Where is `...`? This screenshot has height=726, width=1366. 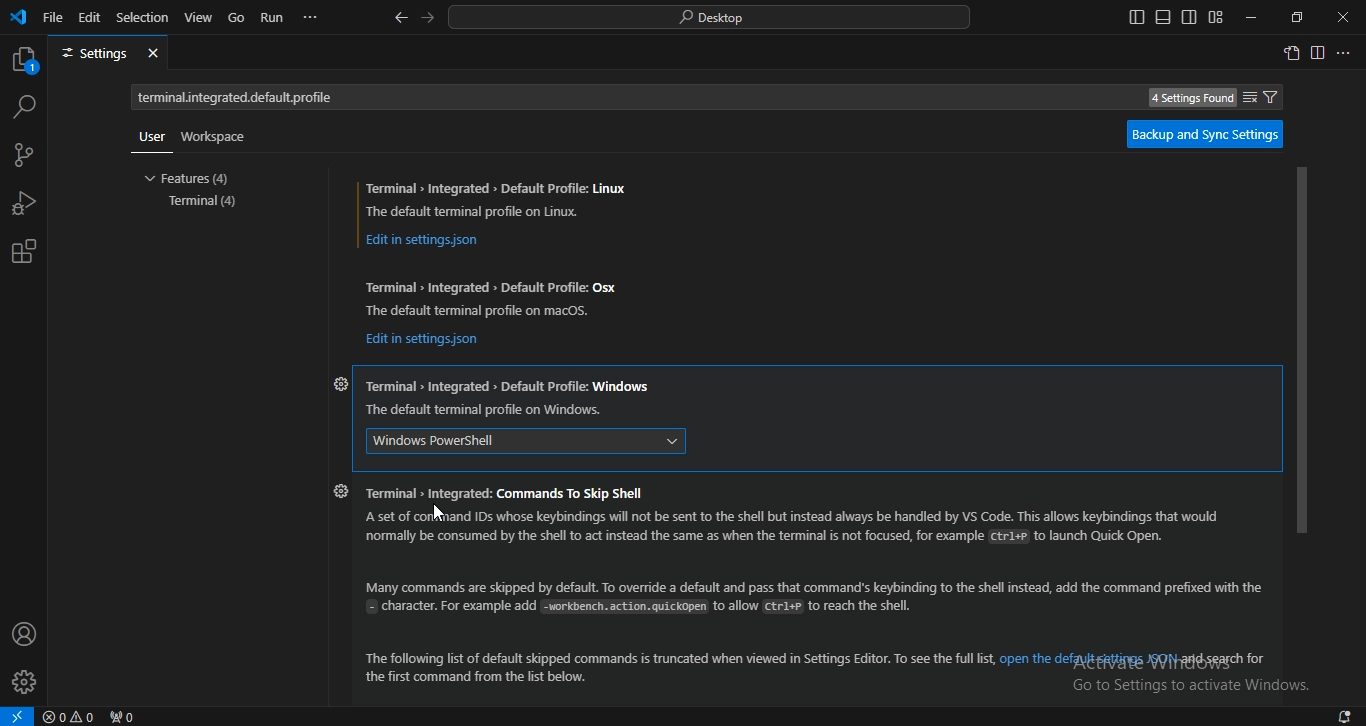
... is located at coordinates (312, 21).